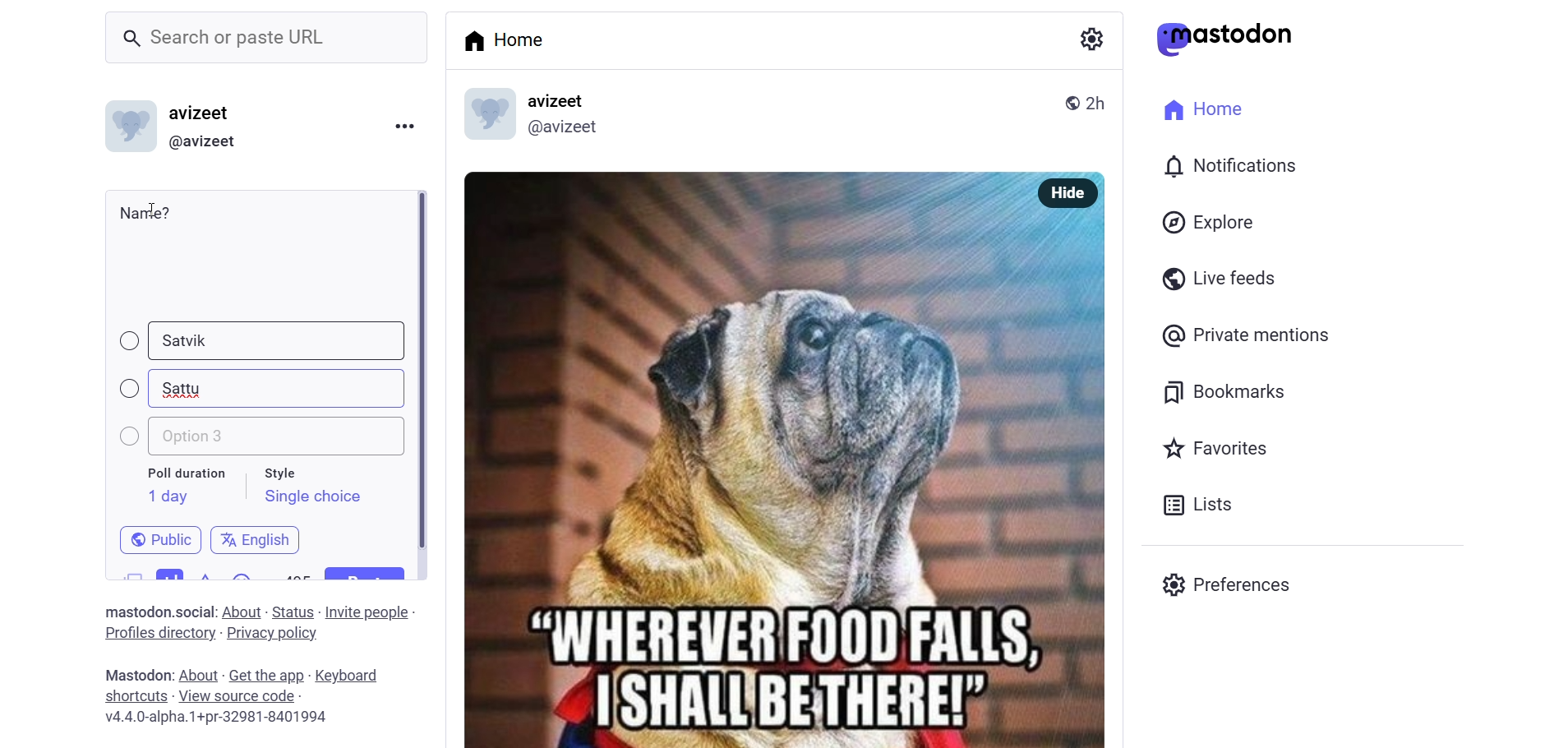 Image resolution: width=1568 pixels, height=748 pixels. I want to click on private mention, so click(1247, 335).